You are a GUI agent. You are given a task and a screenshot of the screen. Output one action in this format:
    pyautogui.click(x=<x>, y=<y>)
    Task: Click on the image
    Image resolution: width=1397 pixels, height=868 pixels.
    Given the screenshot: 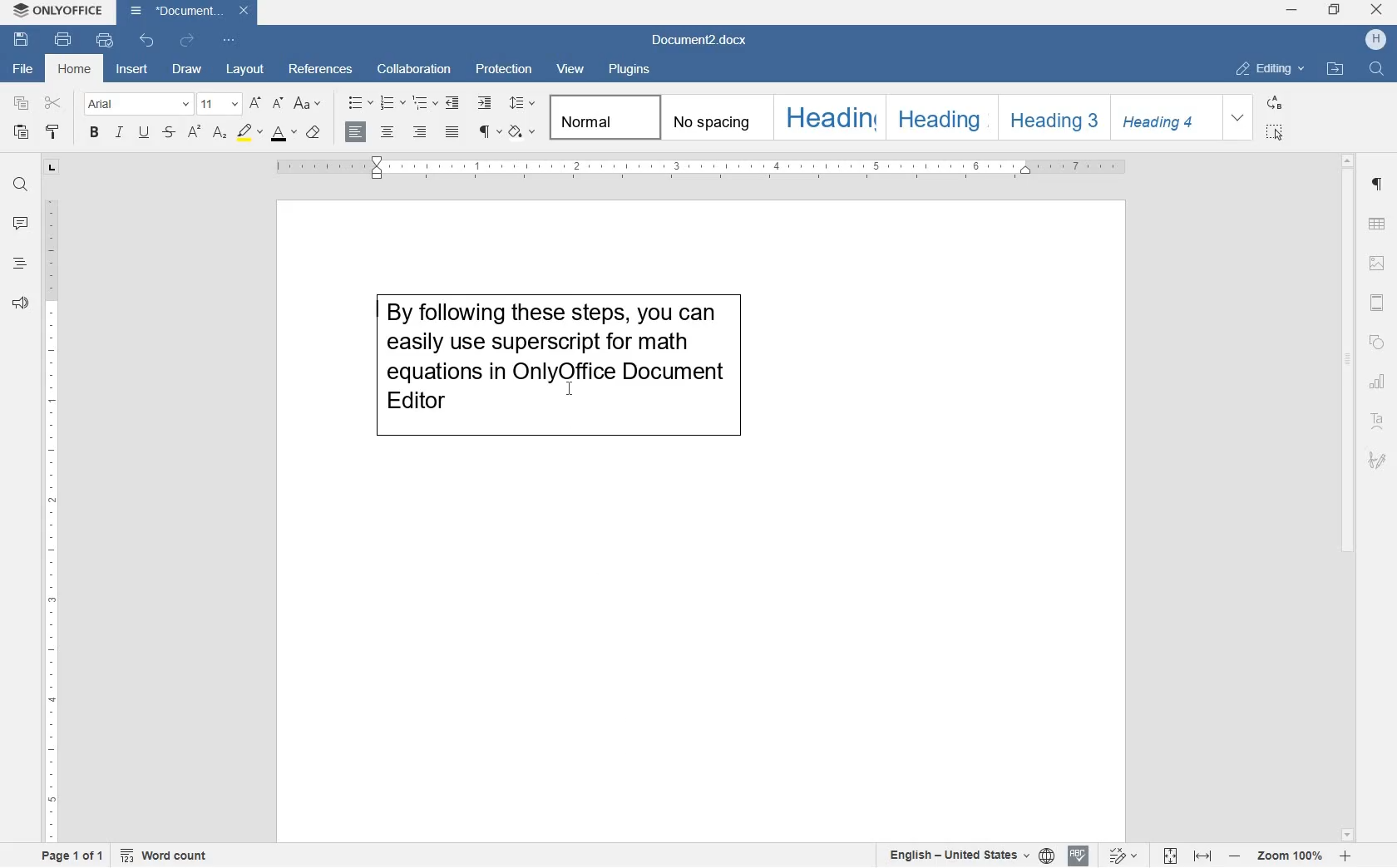 What is the action you would take?
    pyautogui.click(x=1379, y=265)
    